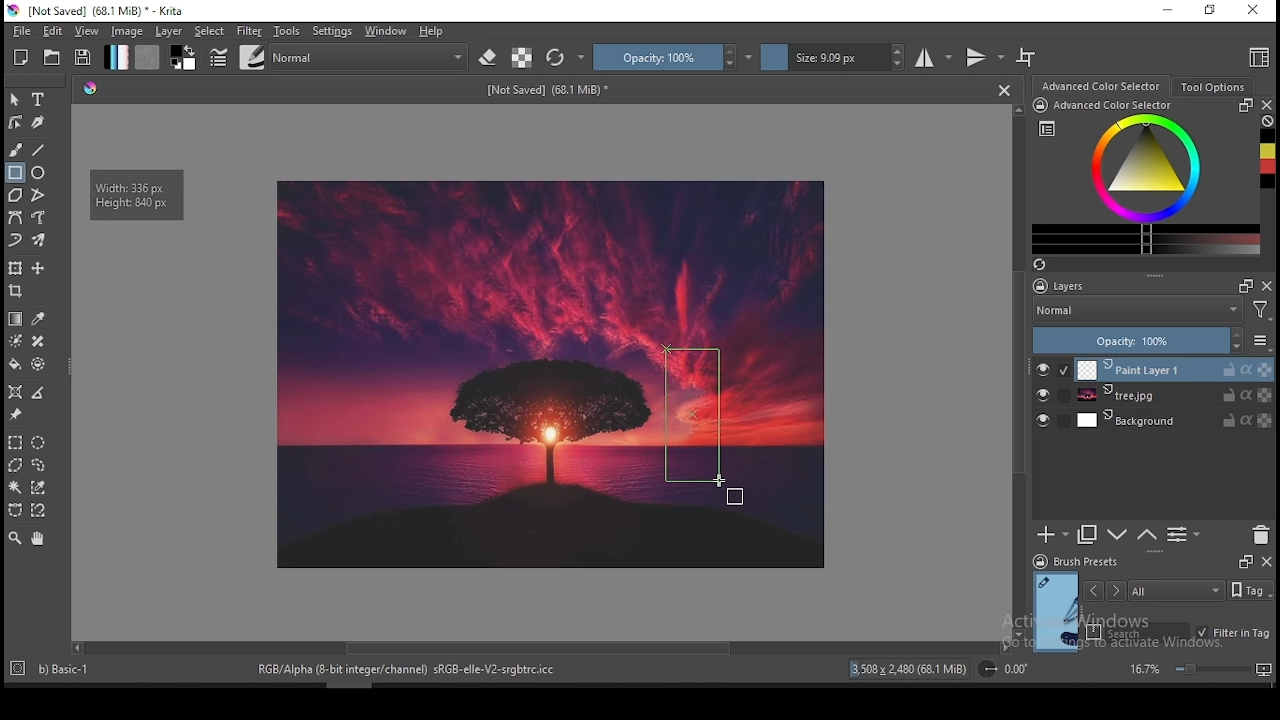 The image size is (1280, 720). I want to click on pan tool, so click(37, 540).